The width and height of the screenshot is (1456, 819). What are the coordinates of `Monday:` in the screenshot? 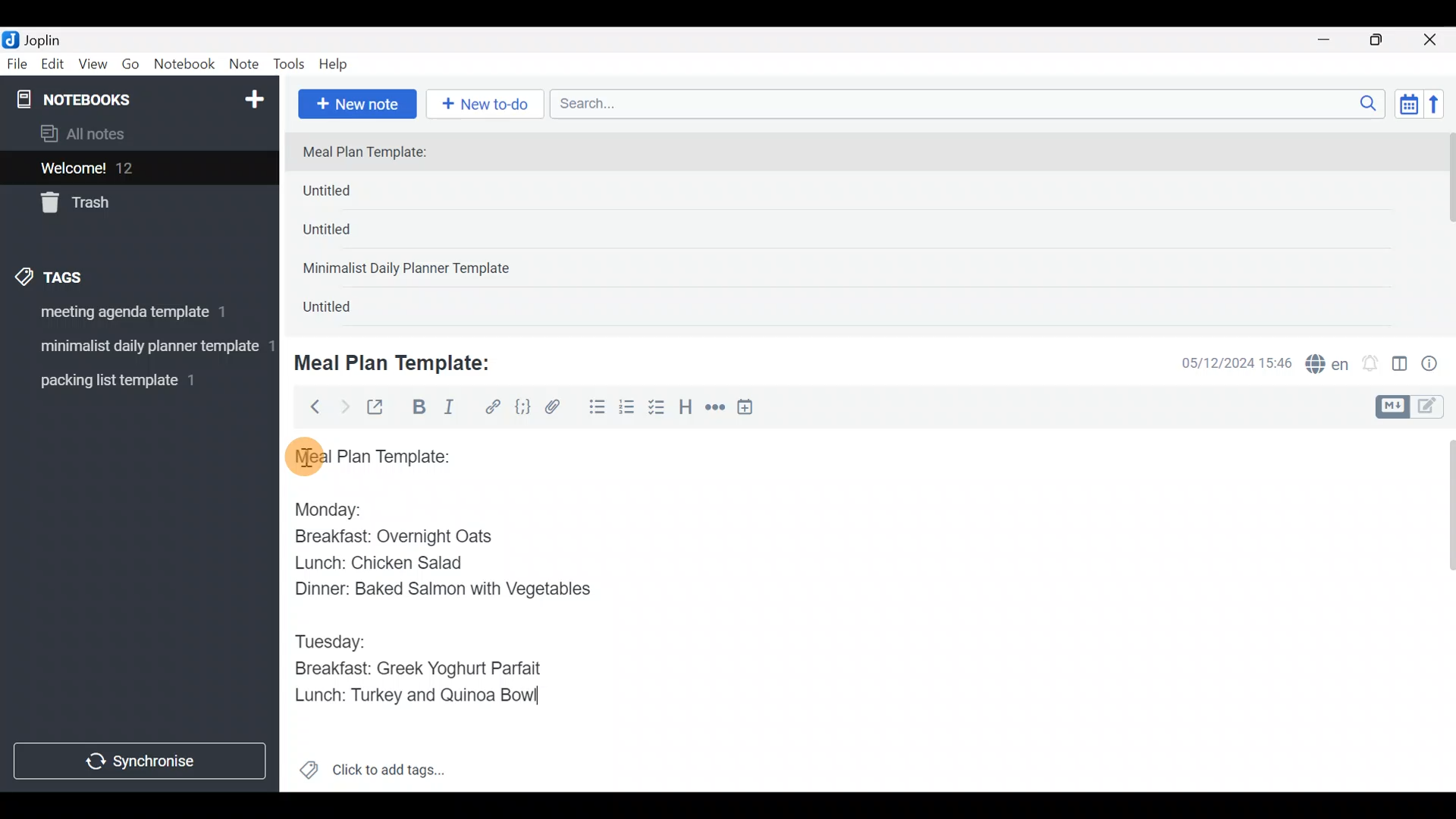 It's located at (318, 507).